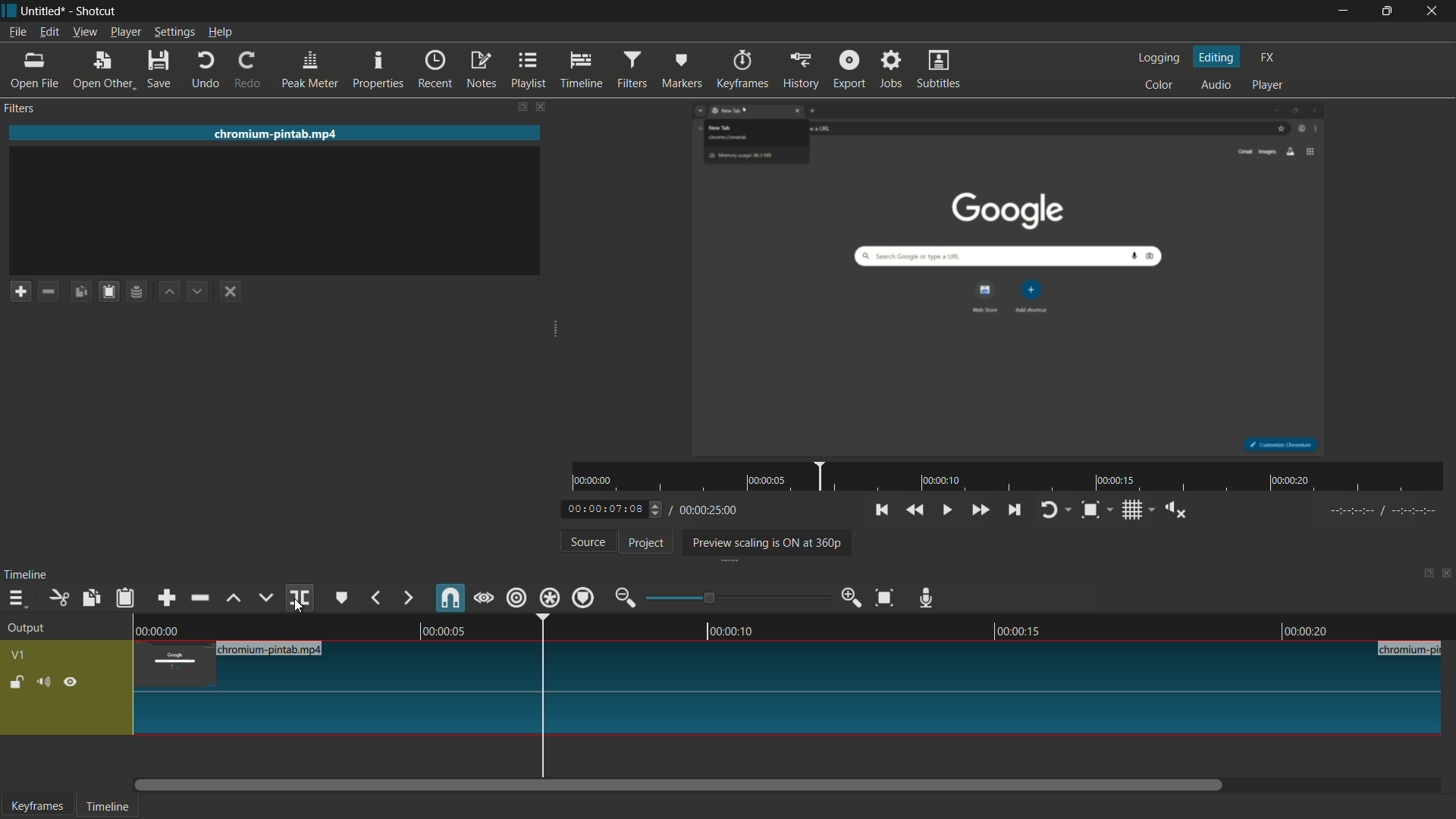 Image resolution: width=1456 pixels, height=819 pixels. I want to click on current time, so click(607, 510).